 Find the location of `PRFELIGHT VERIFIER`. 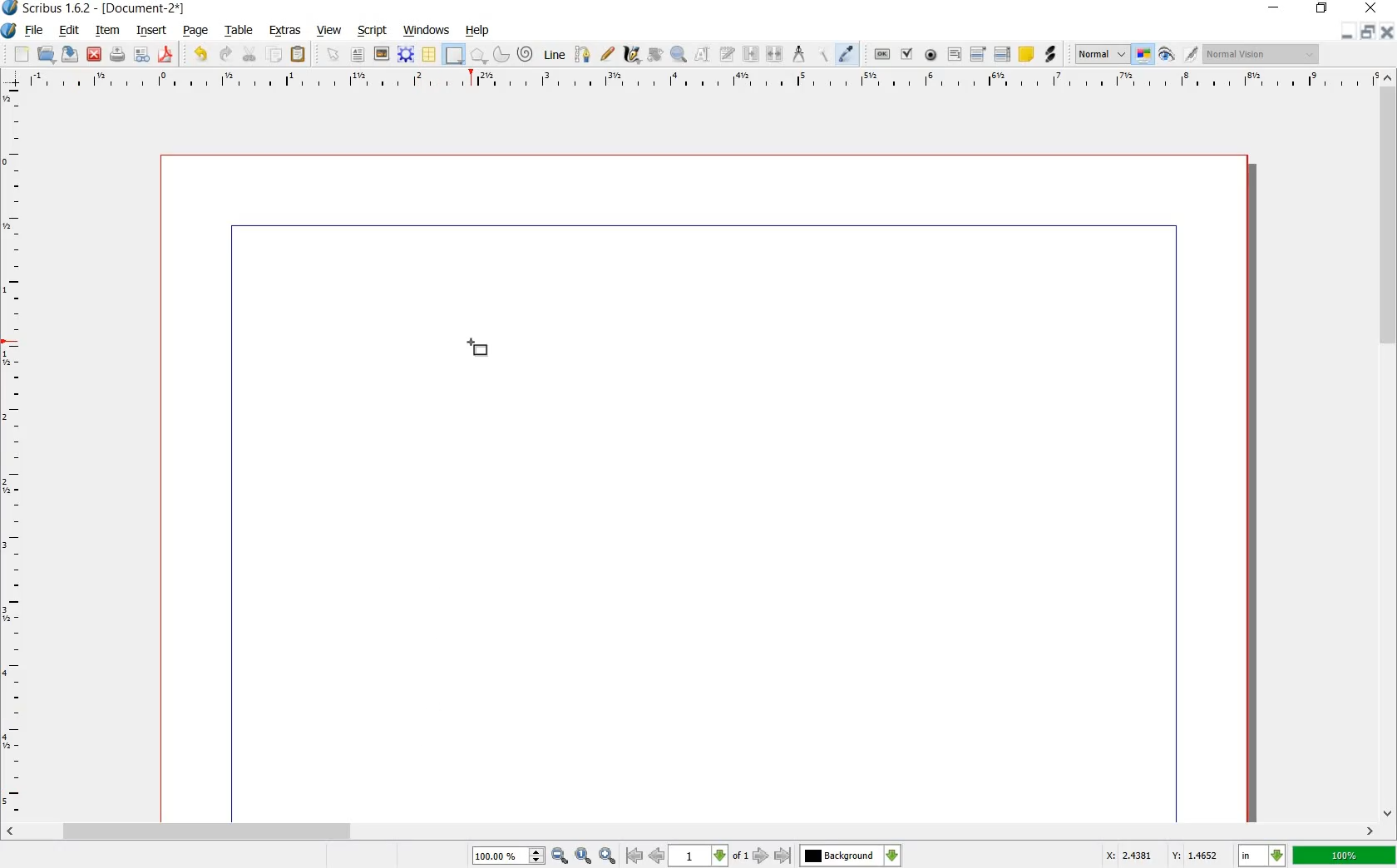

PRFELIGHT VERIFIER is located at coordinates (141, 56).